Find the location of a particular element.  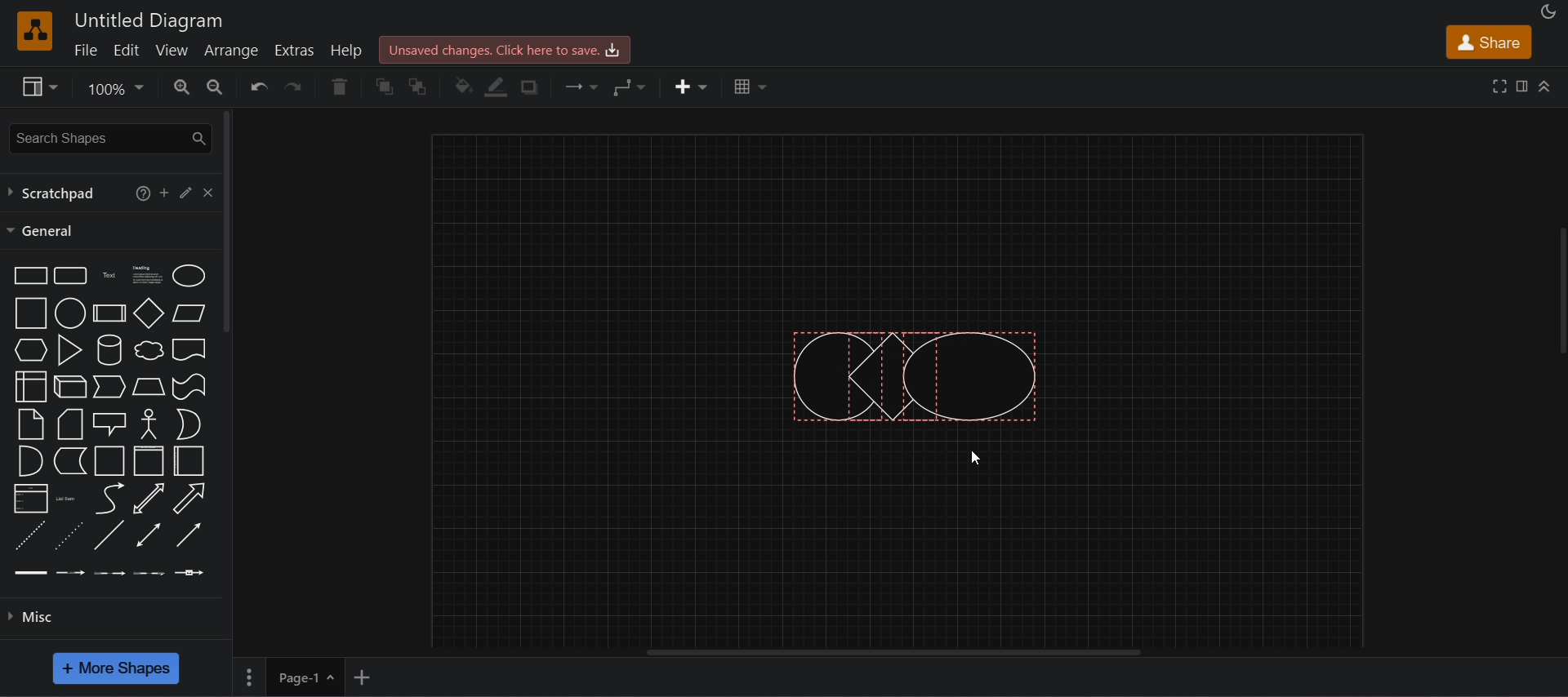

circle is located at coordinates (69, 313).